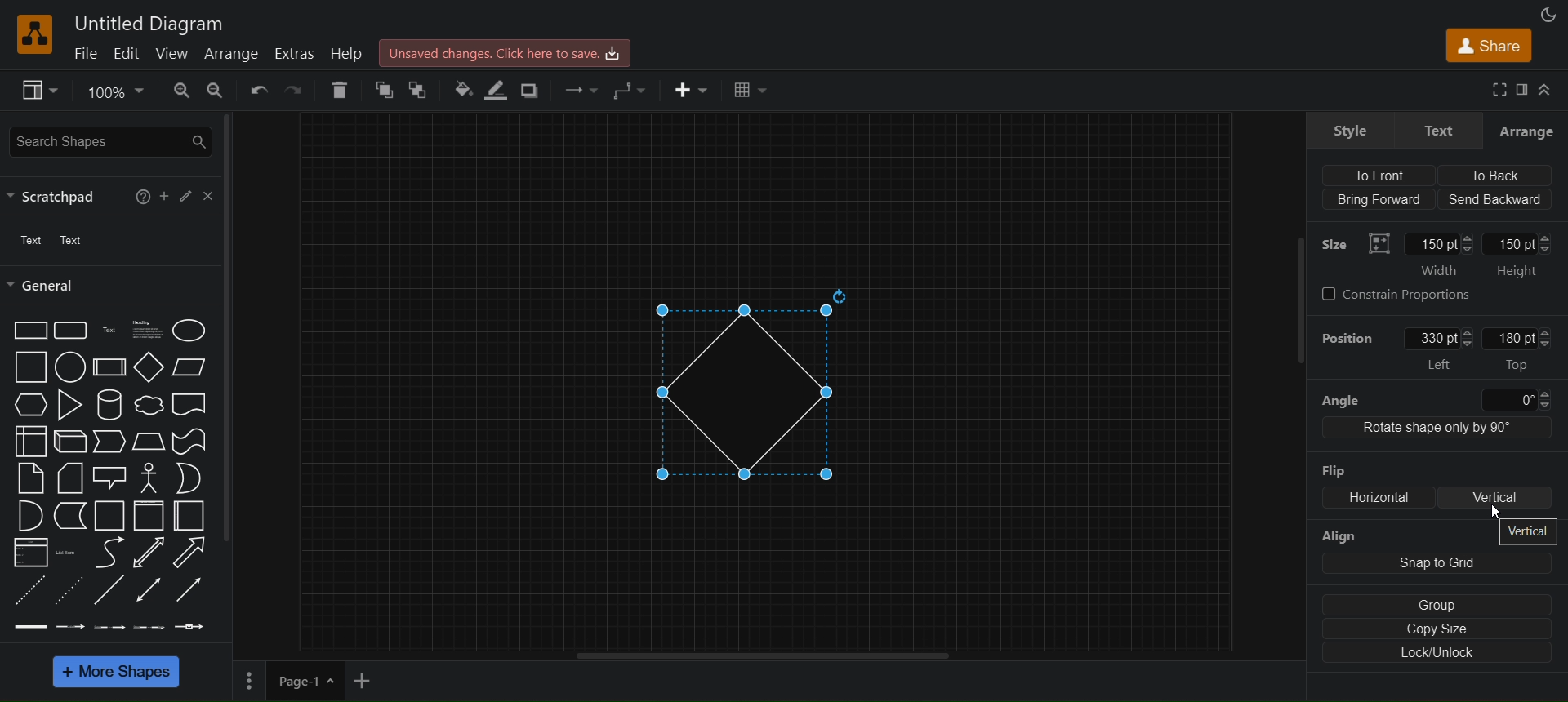 The image size is (1568, 702). I want to click on step, so click(110, 441).